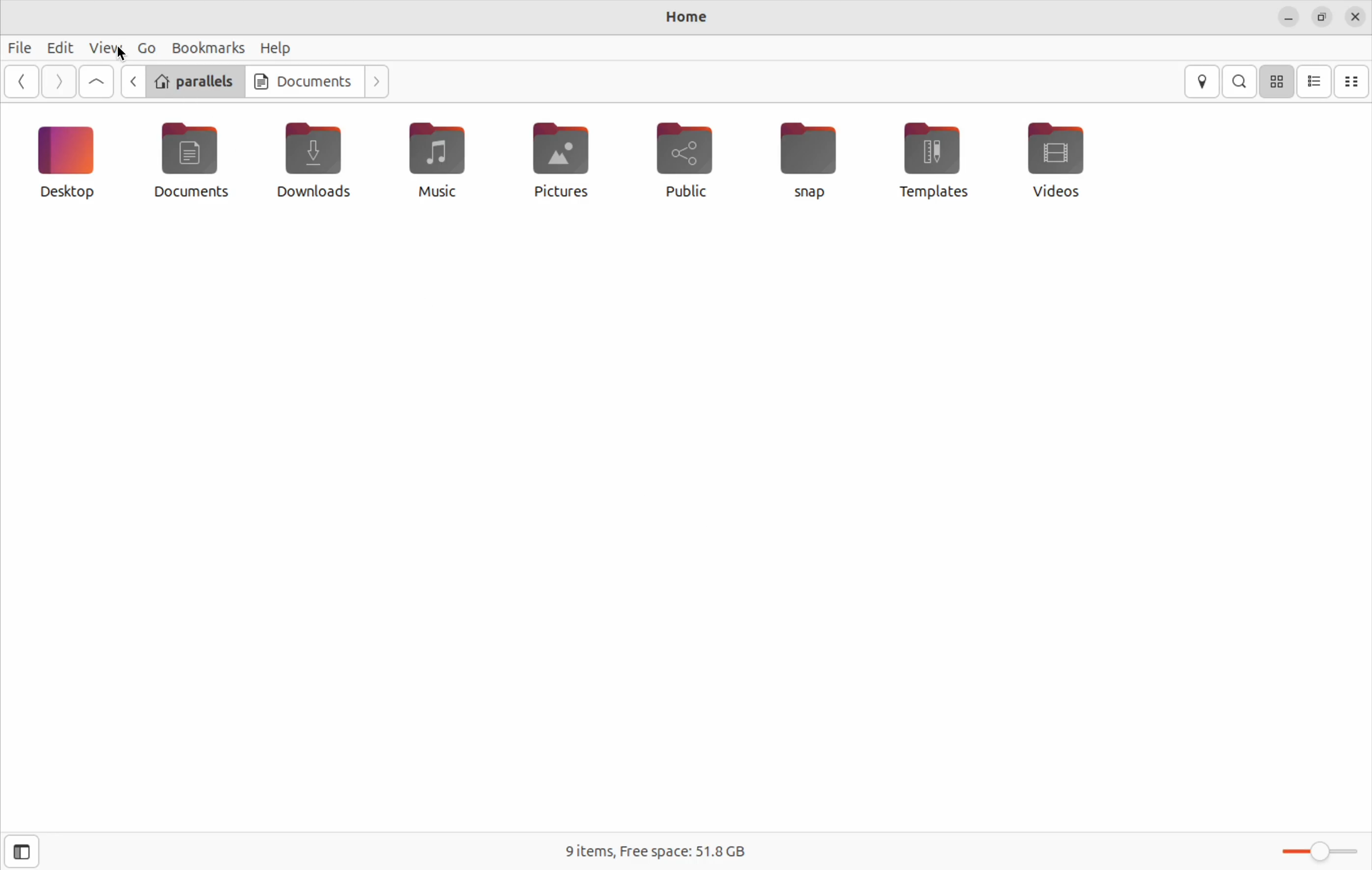 This screenshot has height=870, width=1372. What do you see at coordinates (300, 81) in the screenshot?
I see `documents` at bounding box center [300, 81].